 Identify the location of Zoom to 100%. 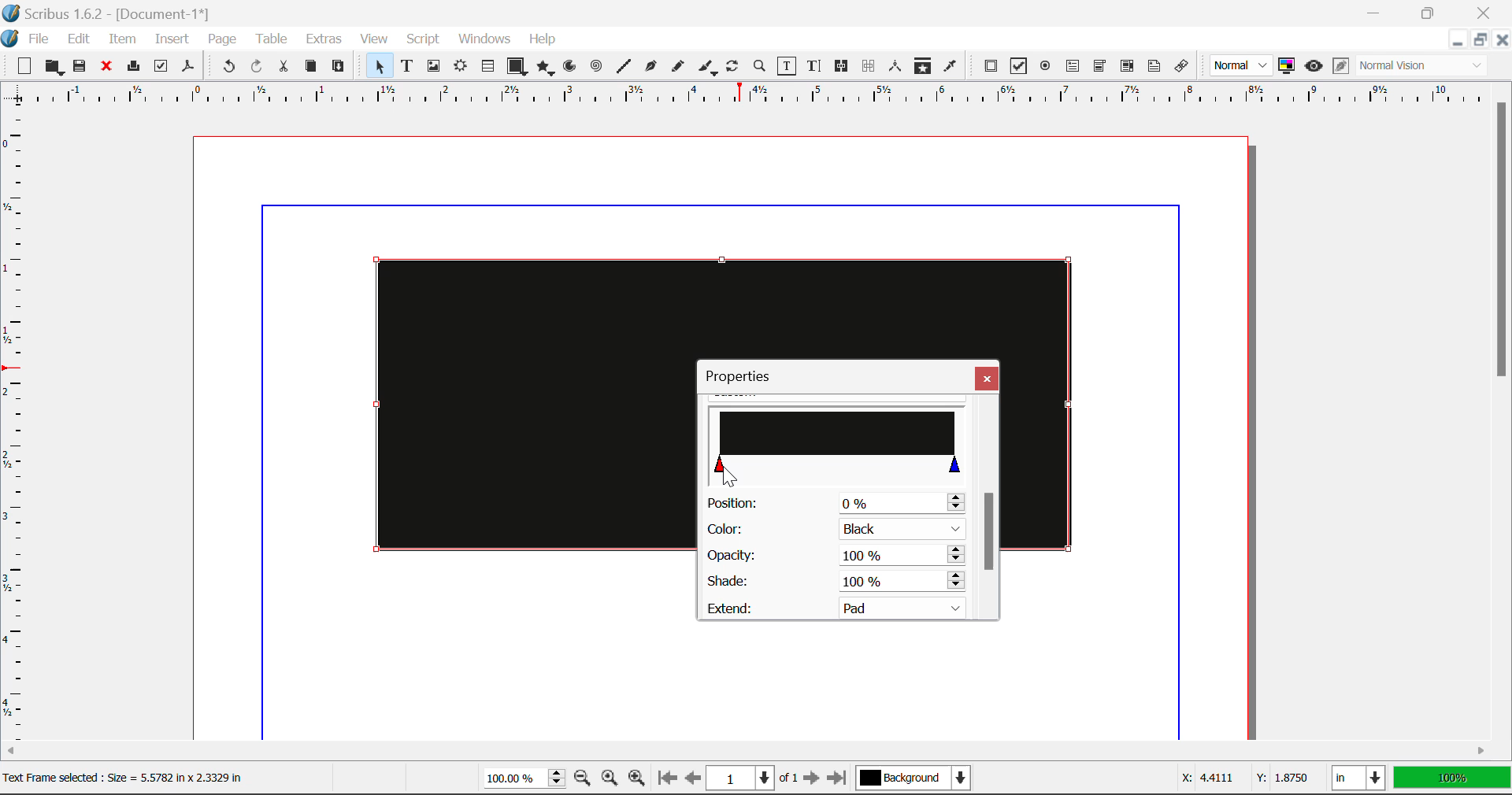
(610, 780).